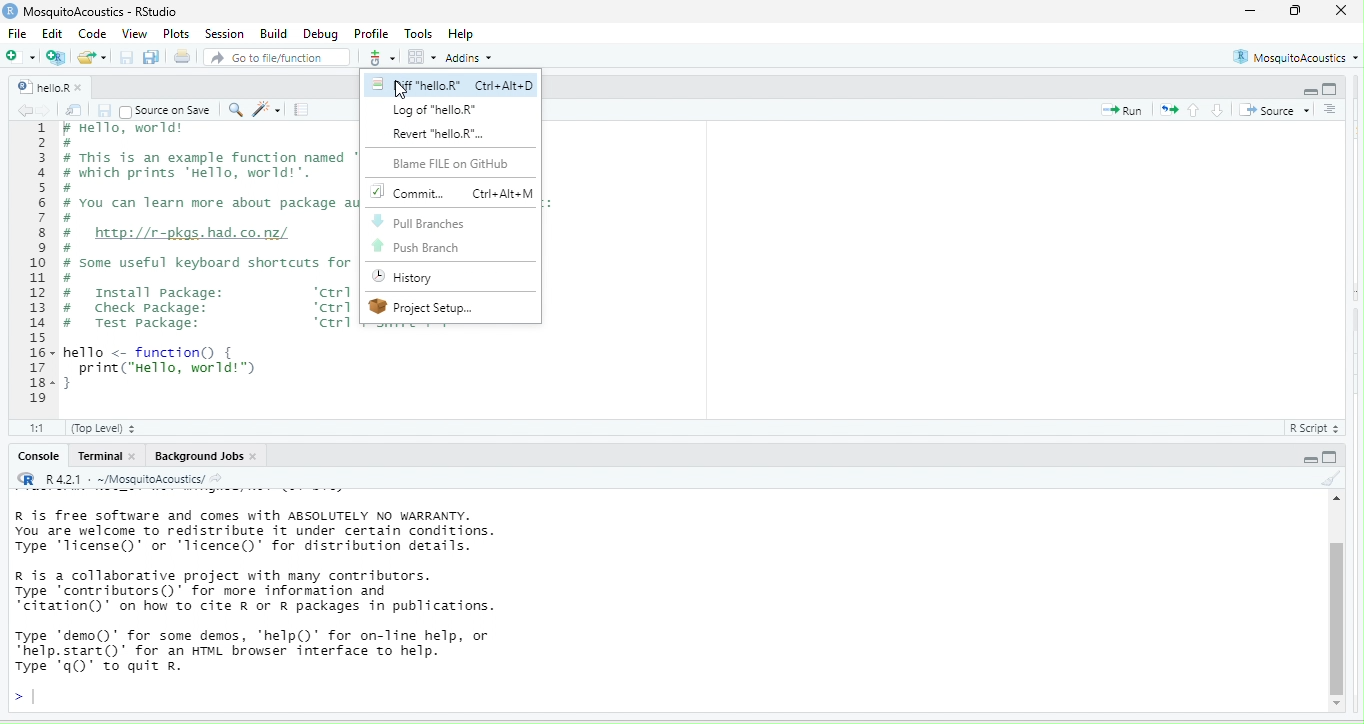  I want to click on close, so click(258, 456).